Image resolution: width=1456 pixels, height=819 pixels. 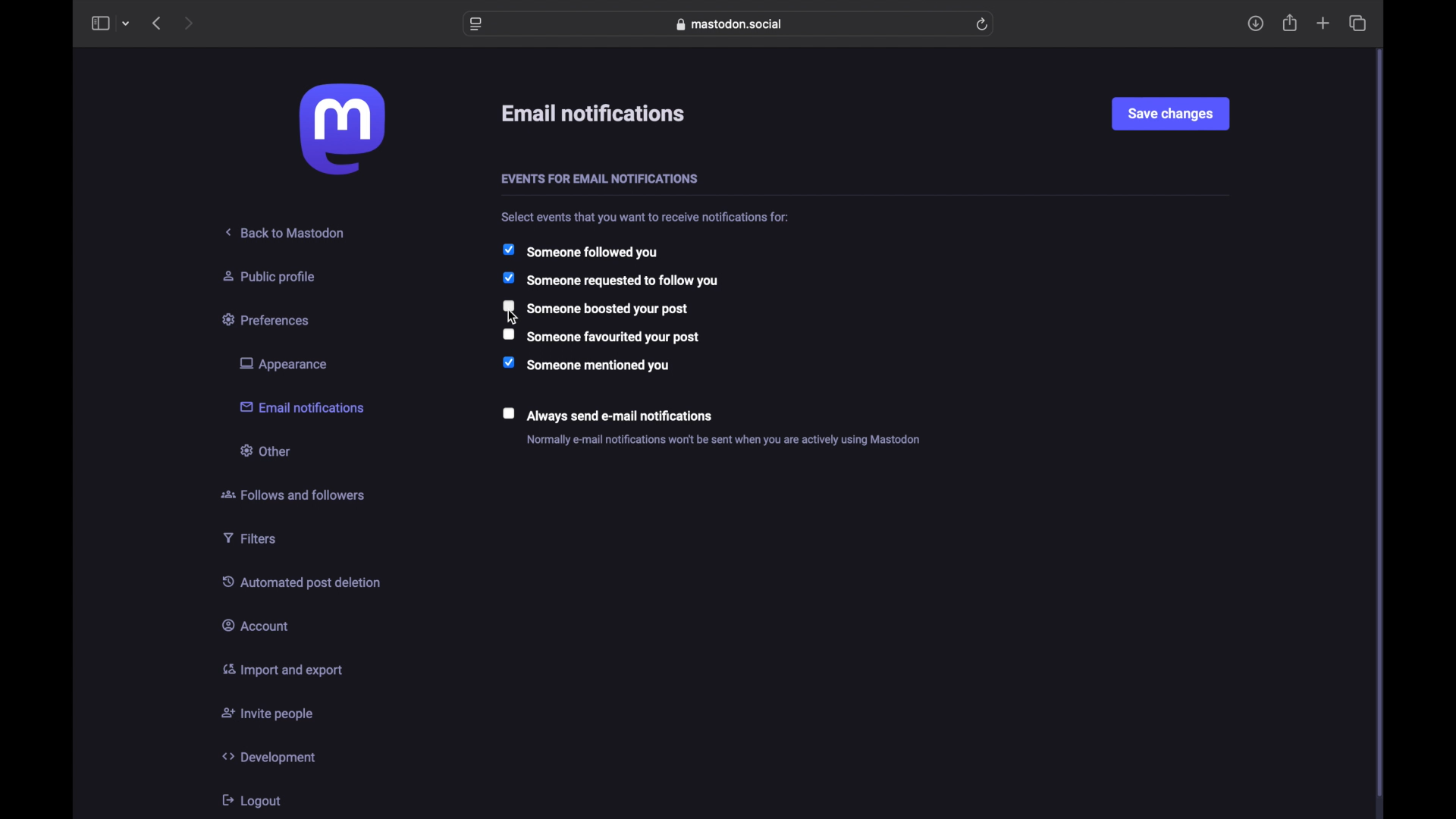 I want to click on checkbox, so click(x=602, y=336).